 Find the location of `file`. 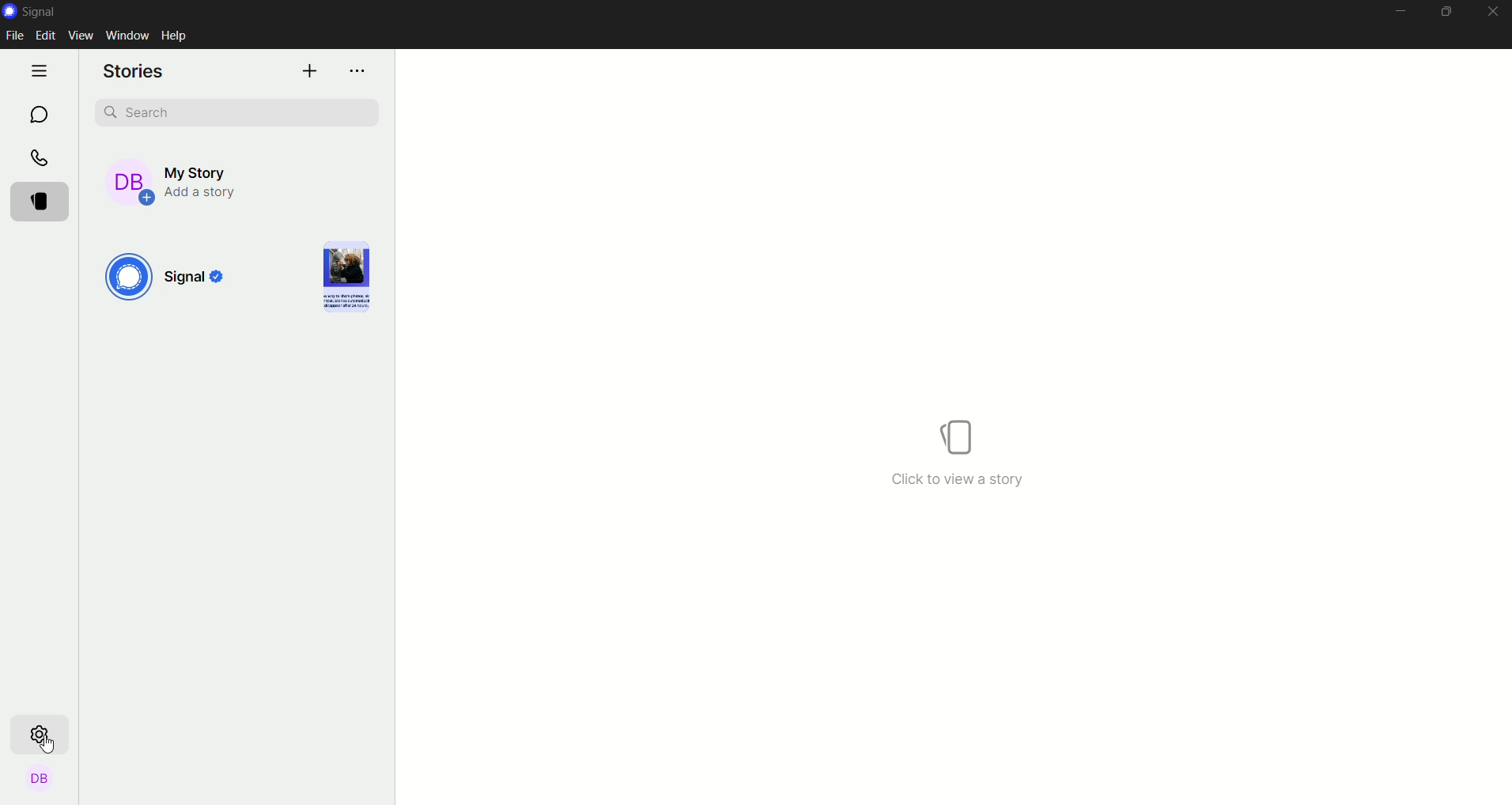

file is located at coordinates (17, 36).